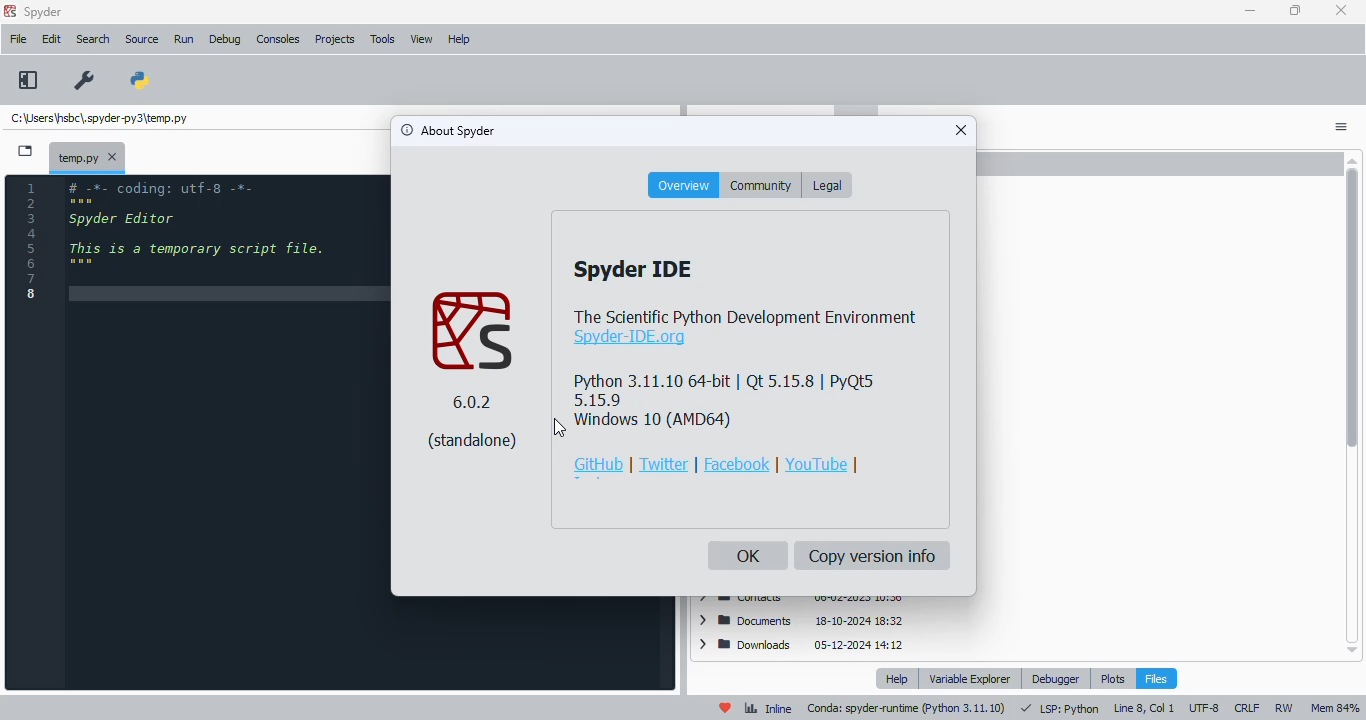  Describe the element at coordinates (9, 11) in the screenshot. I see `logo` at that location.